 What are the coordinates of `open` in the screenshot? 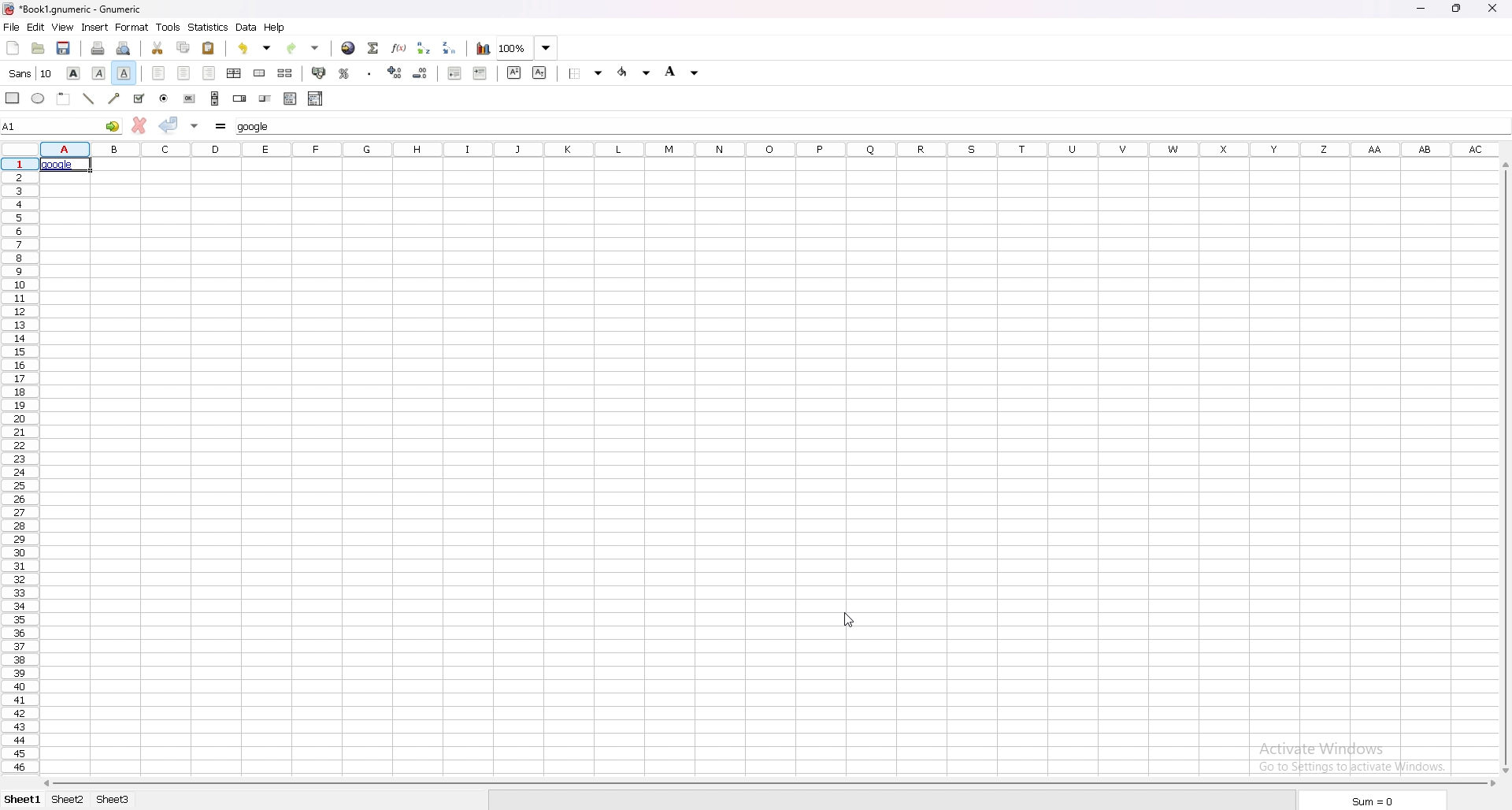 It's located at (40, 48).